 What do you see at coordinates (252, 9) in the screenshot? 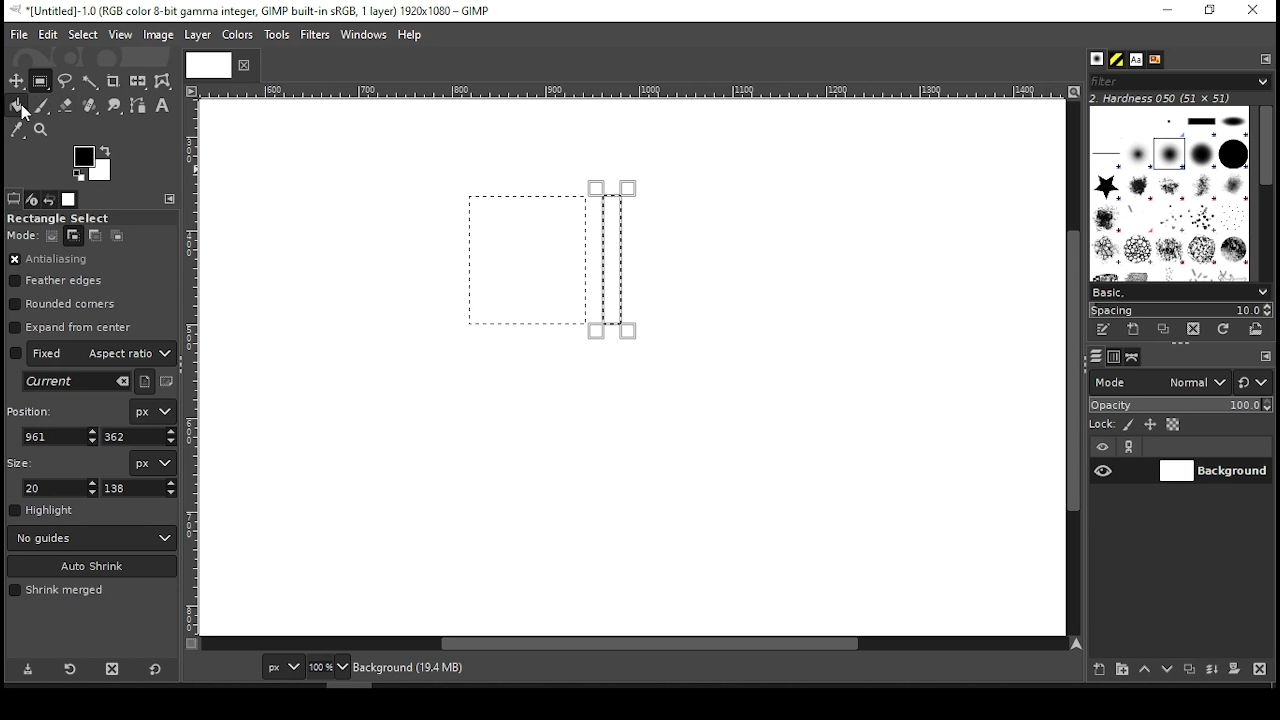
I see `icon and filename` at bounding box center [252, 9].